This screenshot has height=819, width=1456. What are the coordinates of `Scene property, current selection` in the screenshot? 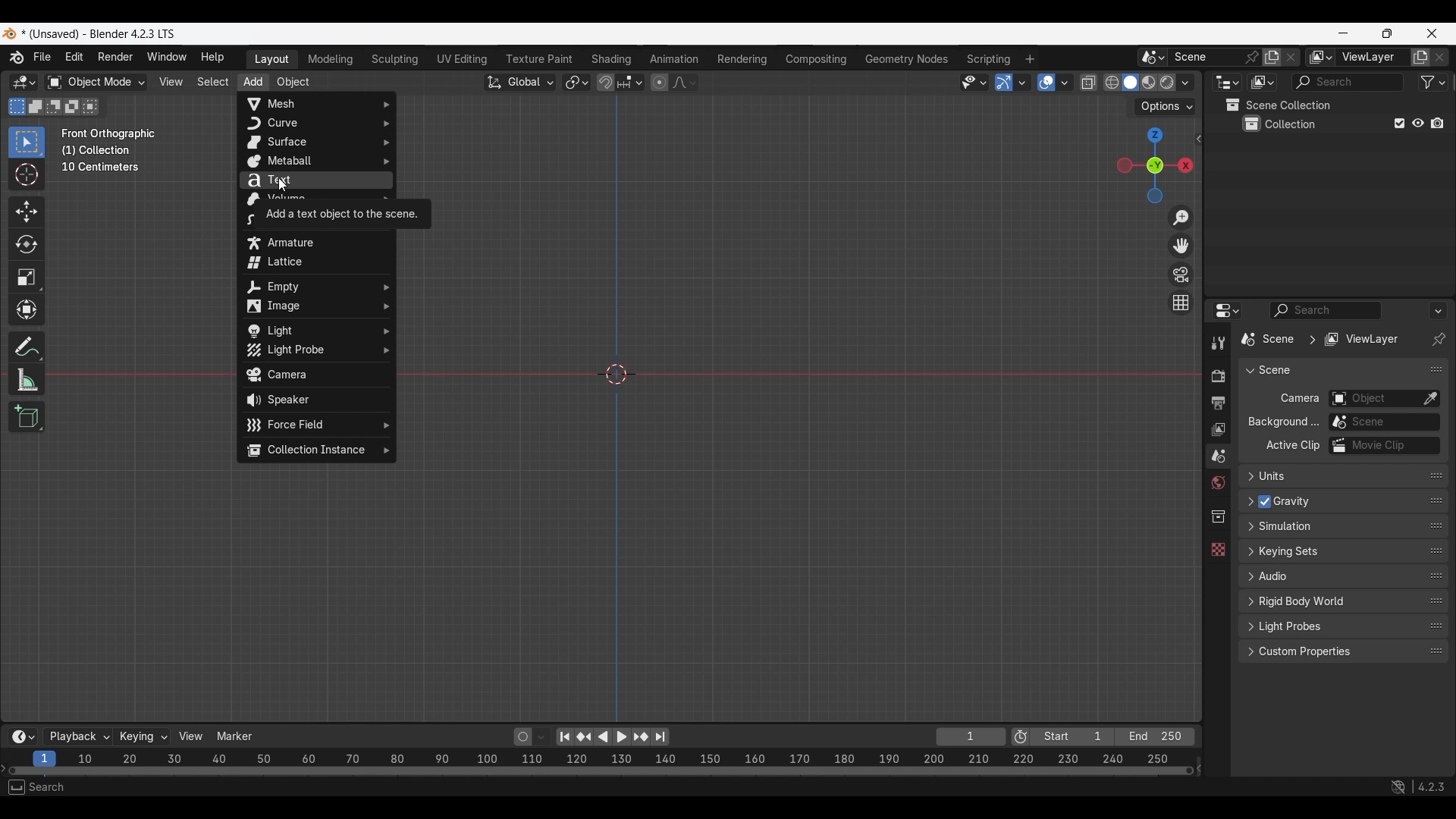 It's located at (1218, 457).